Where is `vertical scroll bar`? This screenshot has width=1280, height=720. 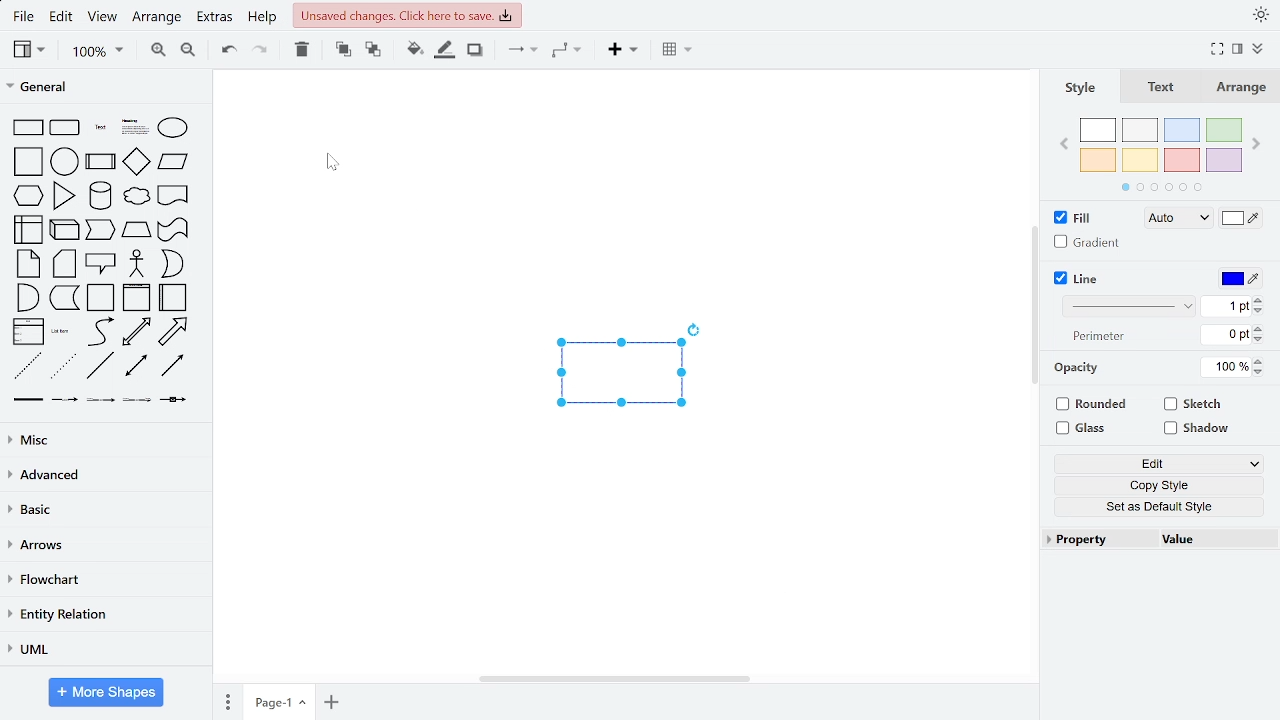 vertical scroll bar is located at coordinates (1038, 299).